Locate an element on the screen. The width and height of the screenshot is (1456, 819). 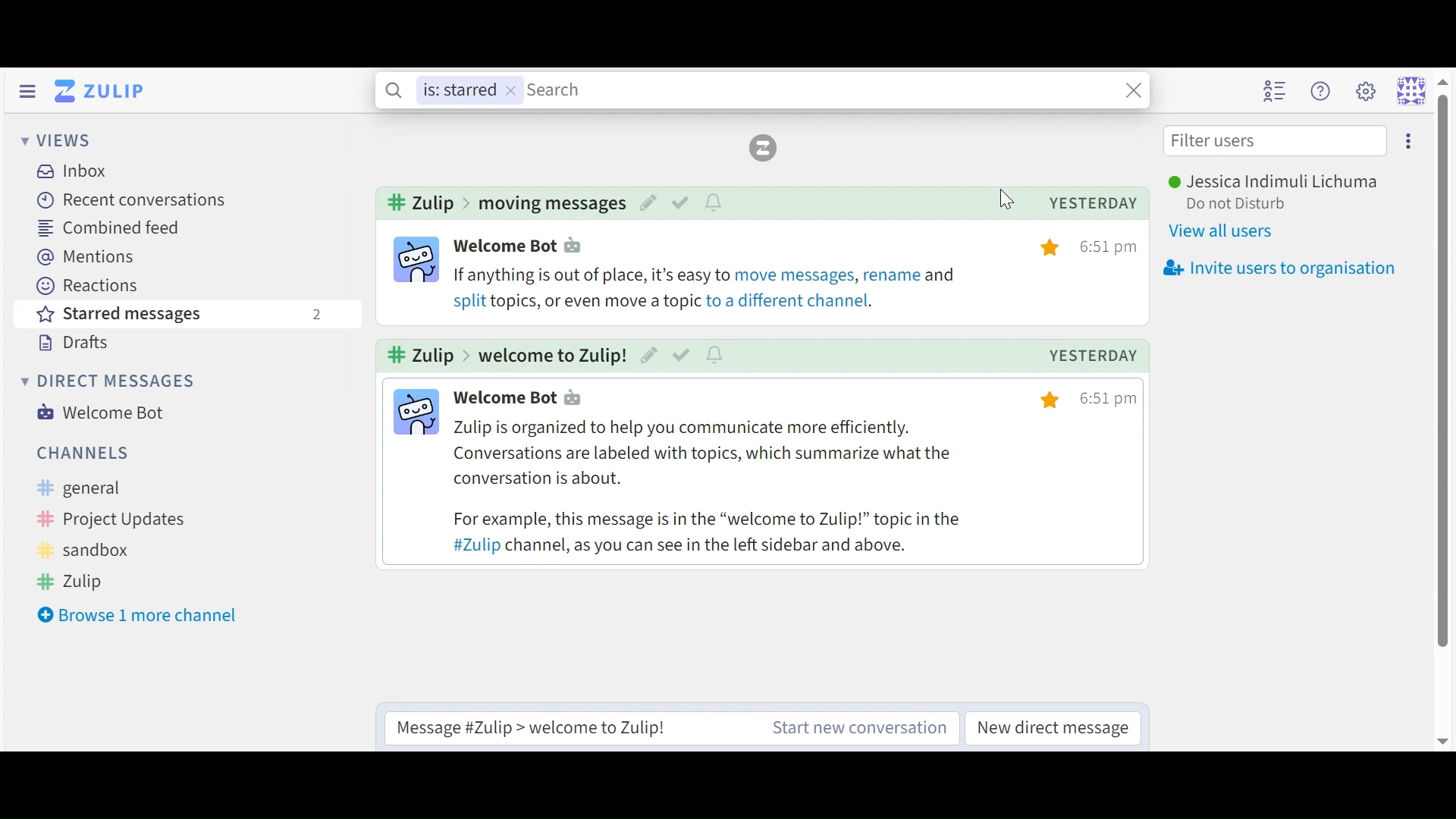
starred is located at coordinates (1051, 403).